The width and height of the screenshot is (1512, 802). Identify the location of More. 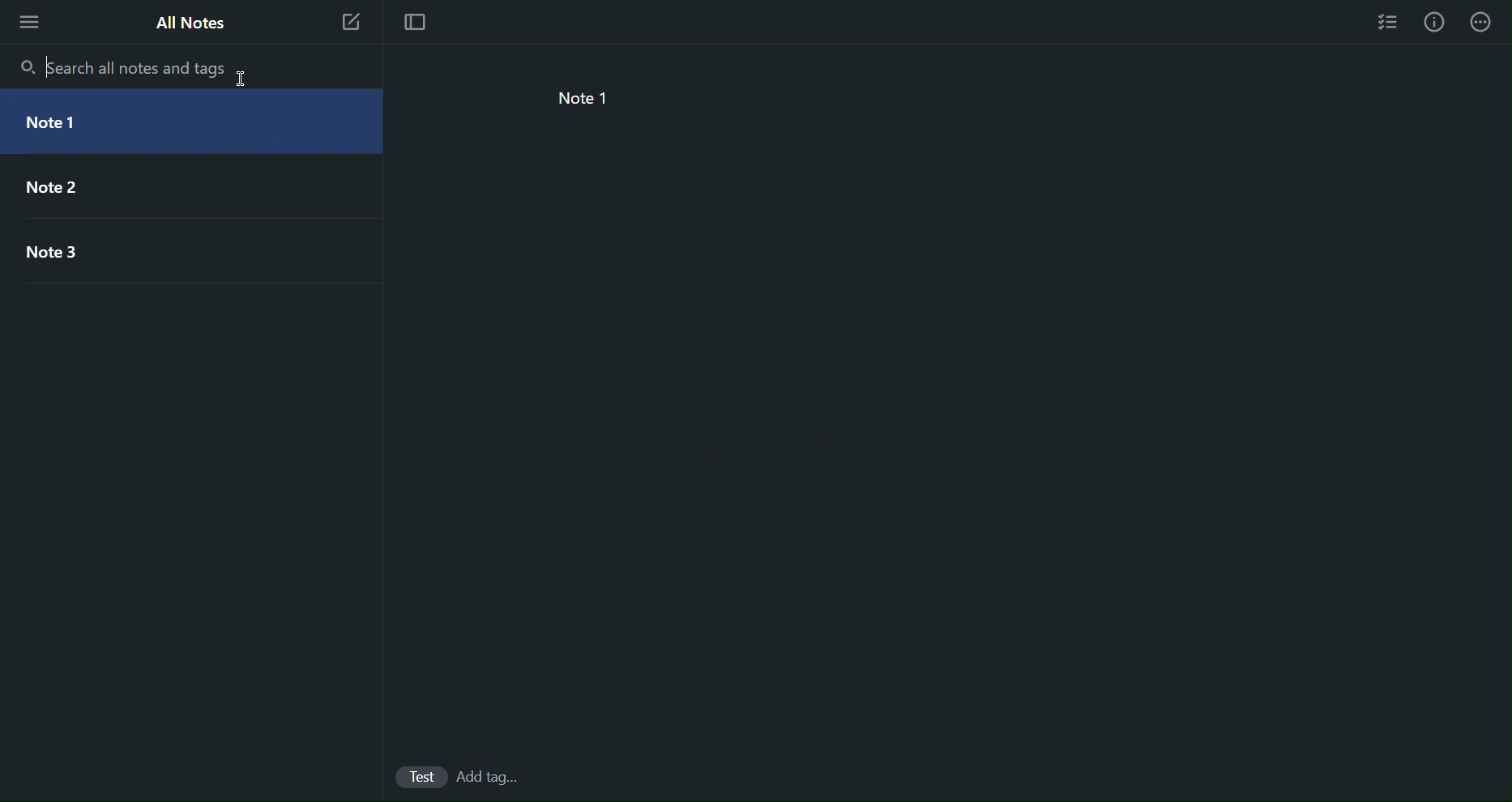
(1488, 21).